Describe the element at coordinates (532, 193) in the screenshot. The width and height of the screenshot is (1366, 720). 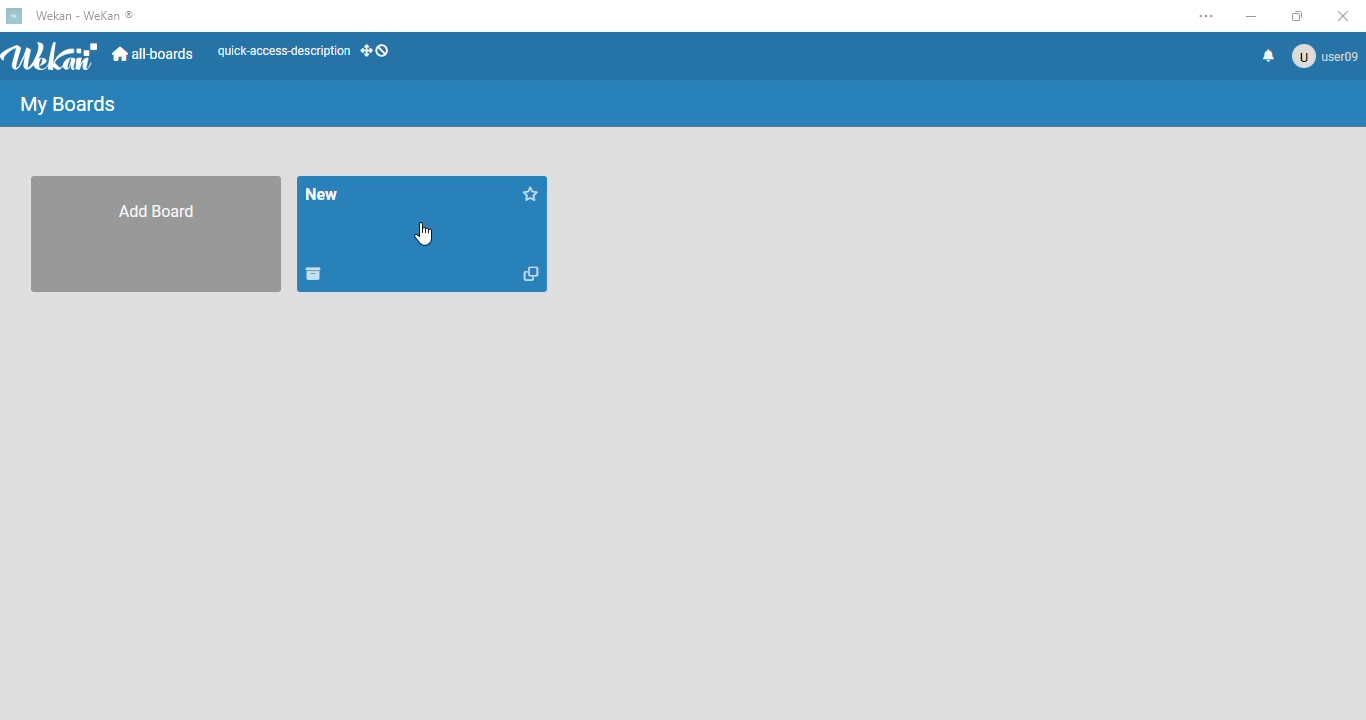
I see `click to star this board` at that location.